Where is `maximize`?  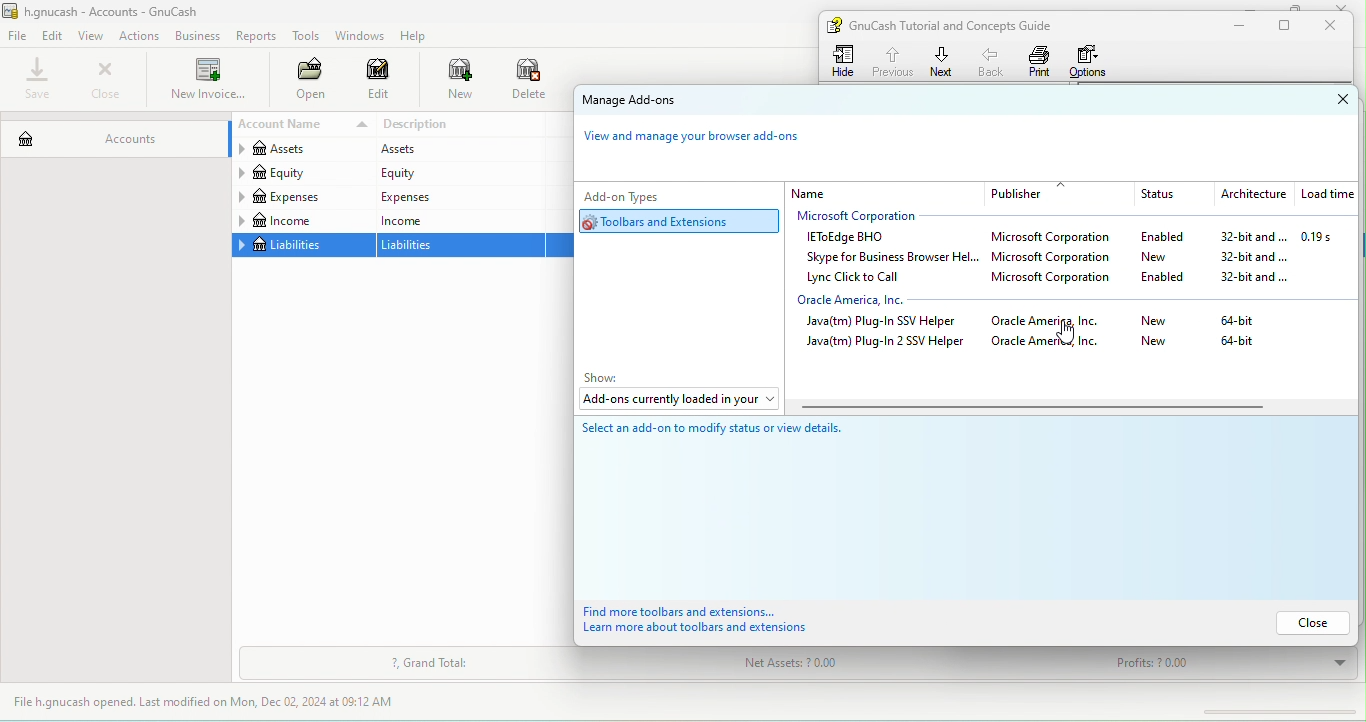
maximize is located at coordinates (1292, 7).